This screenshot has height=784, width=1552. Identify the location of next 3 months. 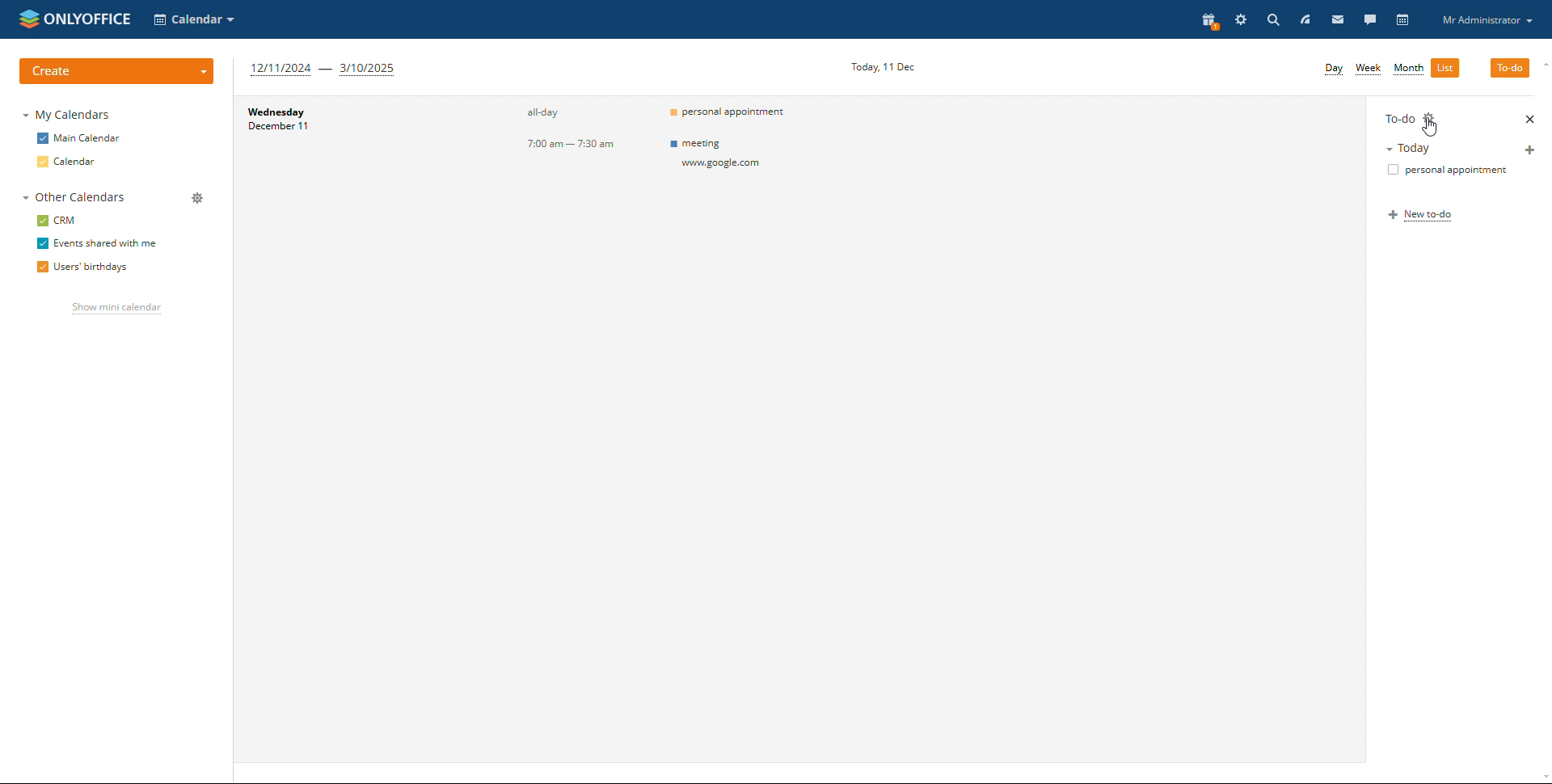
(325, 70).